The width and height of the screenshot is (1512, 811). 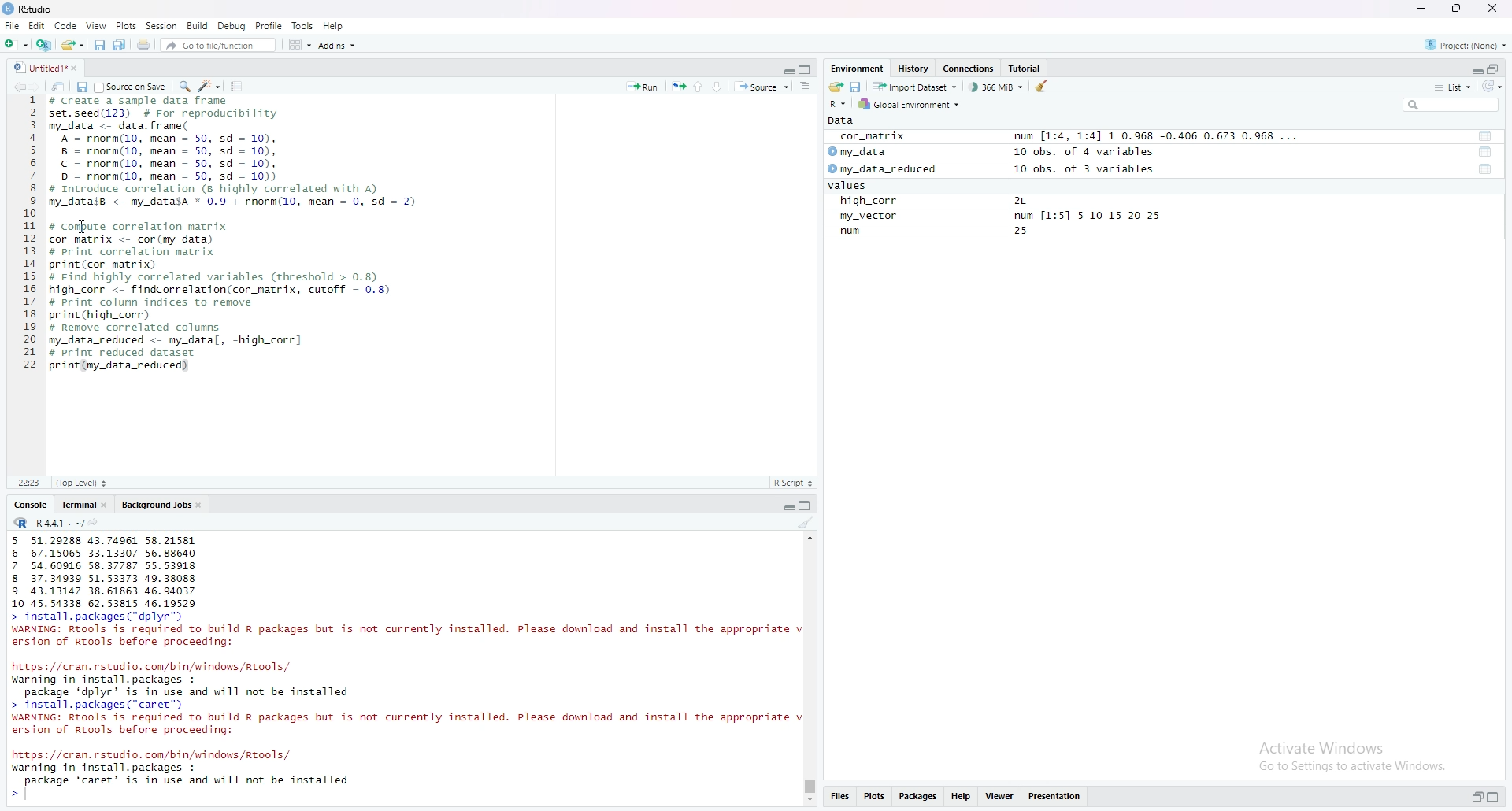 What do you see at coordinates (13, 26) in the screenshot?
I see `File` at bounding box center [13, 26].